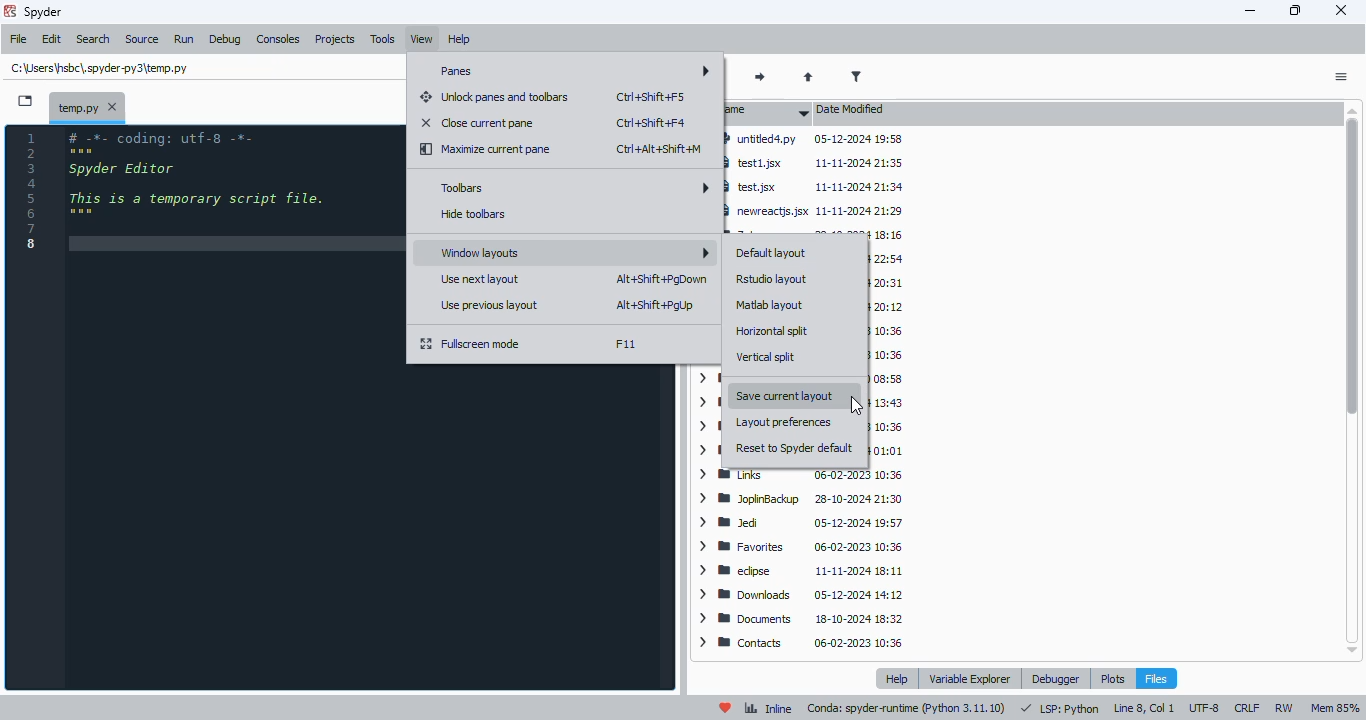 The image size is (1366, 720). I want to click on default layout, so click(773, 253).